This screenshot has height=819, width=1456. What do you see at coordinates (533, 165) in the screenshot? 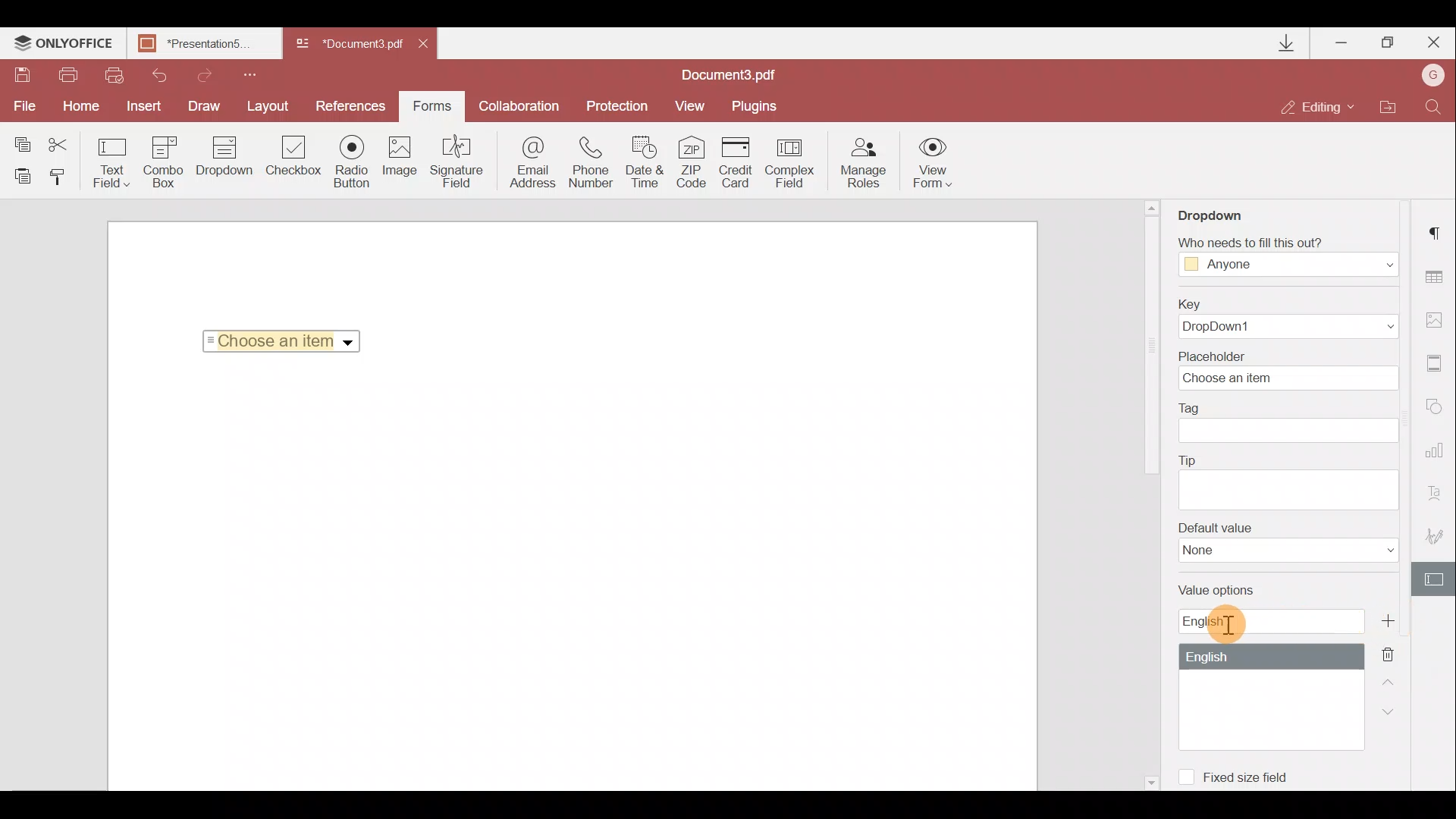
I see `Email address` at bounding box center [533, 165].